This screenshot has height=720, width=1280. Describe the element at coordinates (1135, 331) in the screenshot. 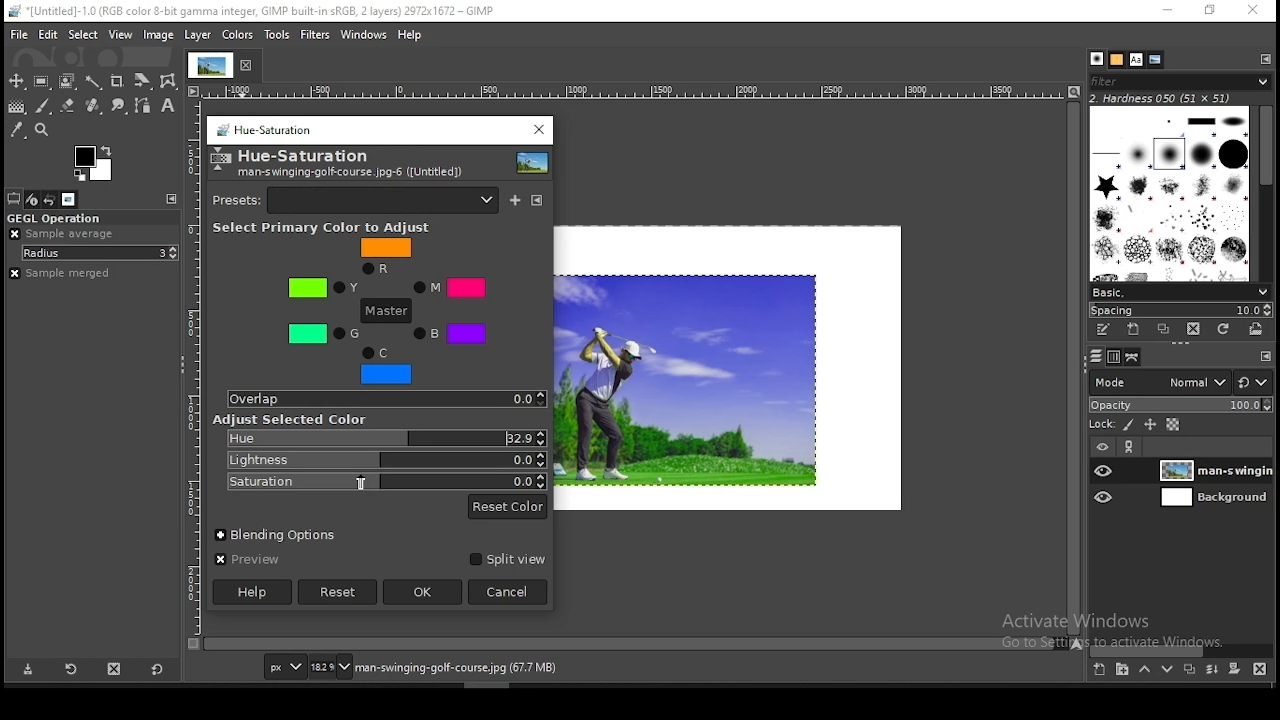

I see `create a new brush` at that location.